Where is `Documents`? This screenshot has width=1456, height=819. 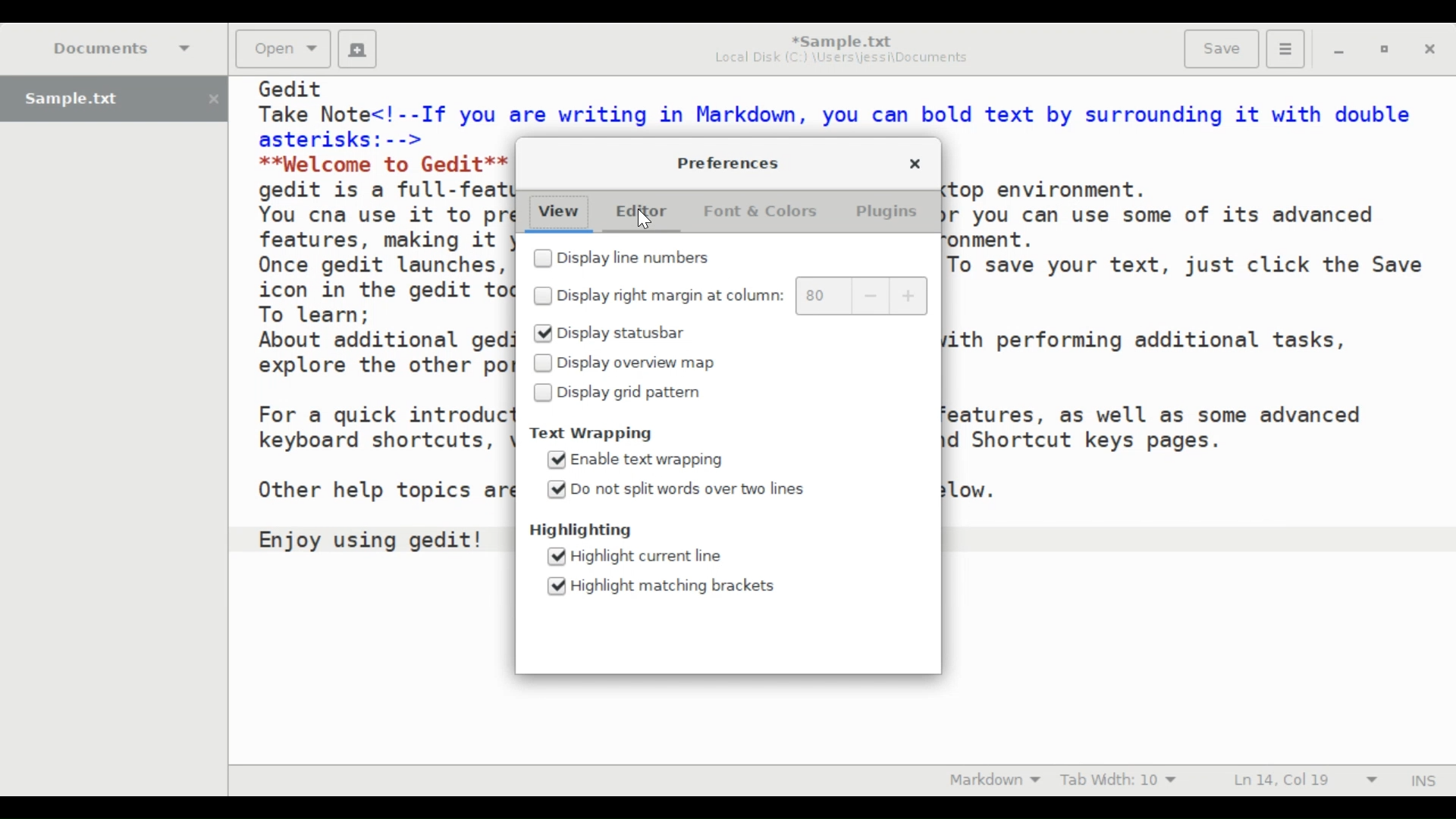
Documents is located at coordinates (124, 48).